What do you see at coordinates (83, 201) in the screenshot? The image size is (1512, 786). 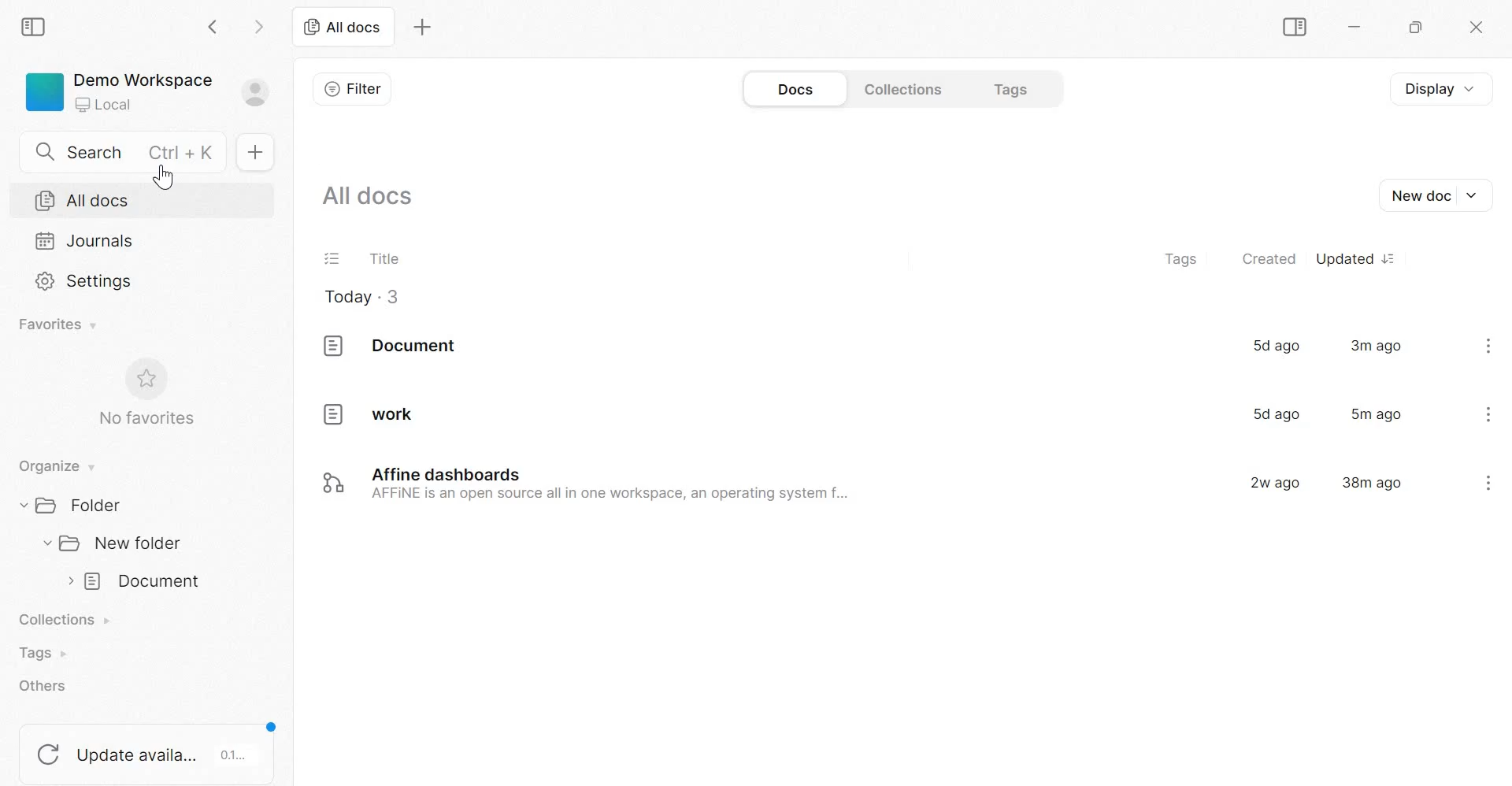 I see `All docs` at bounding box center [83, 201].